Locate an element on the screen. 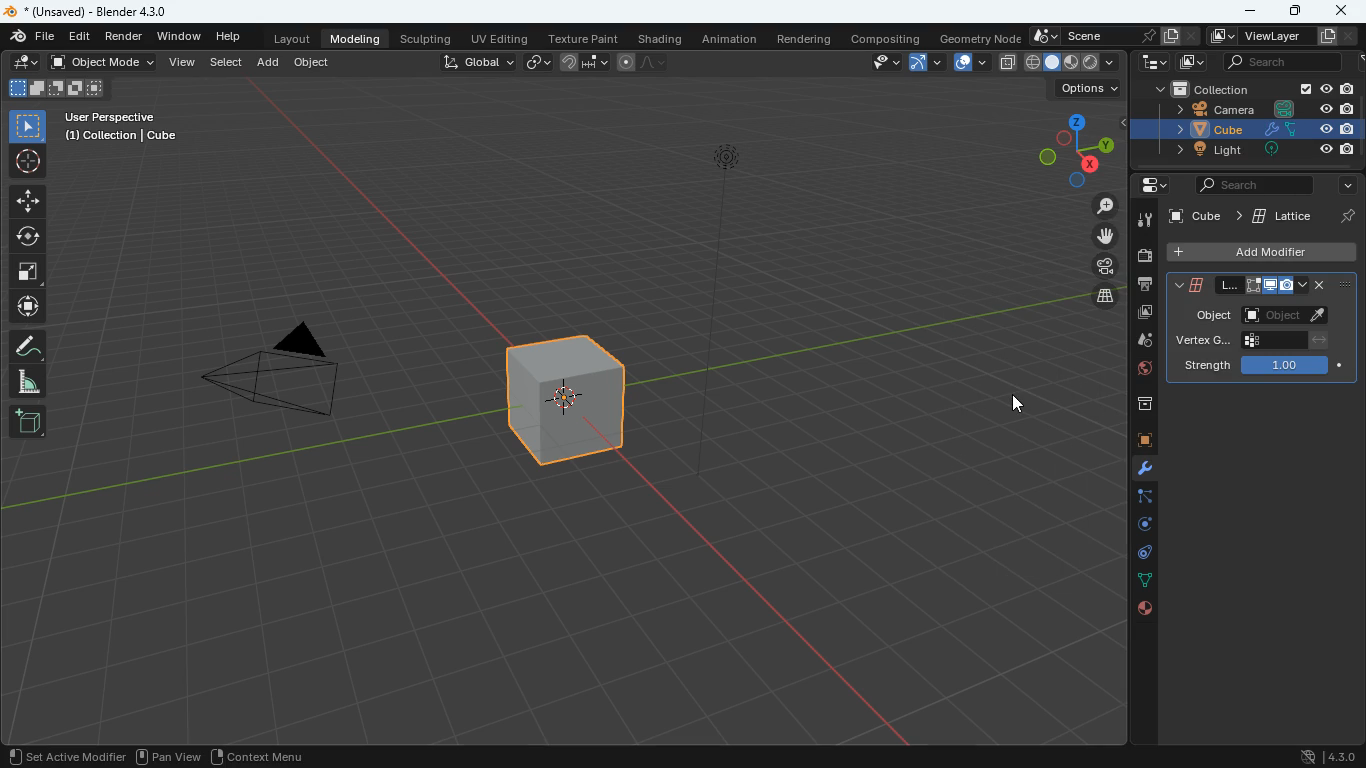 This screenshot has width=1366, height=768. archive is located at coordinates (1142, 405).